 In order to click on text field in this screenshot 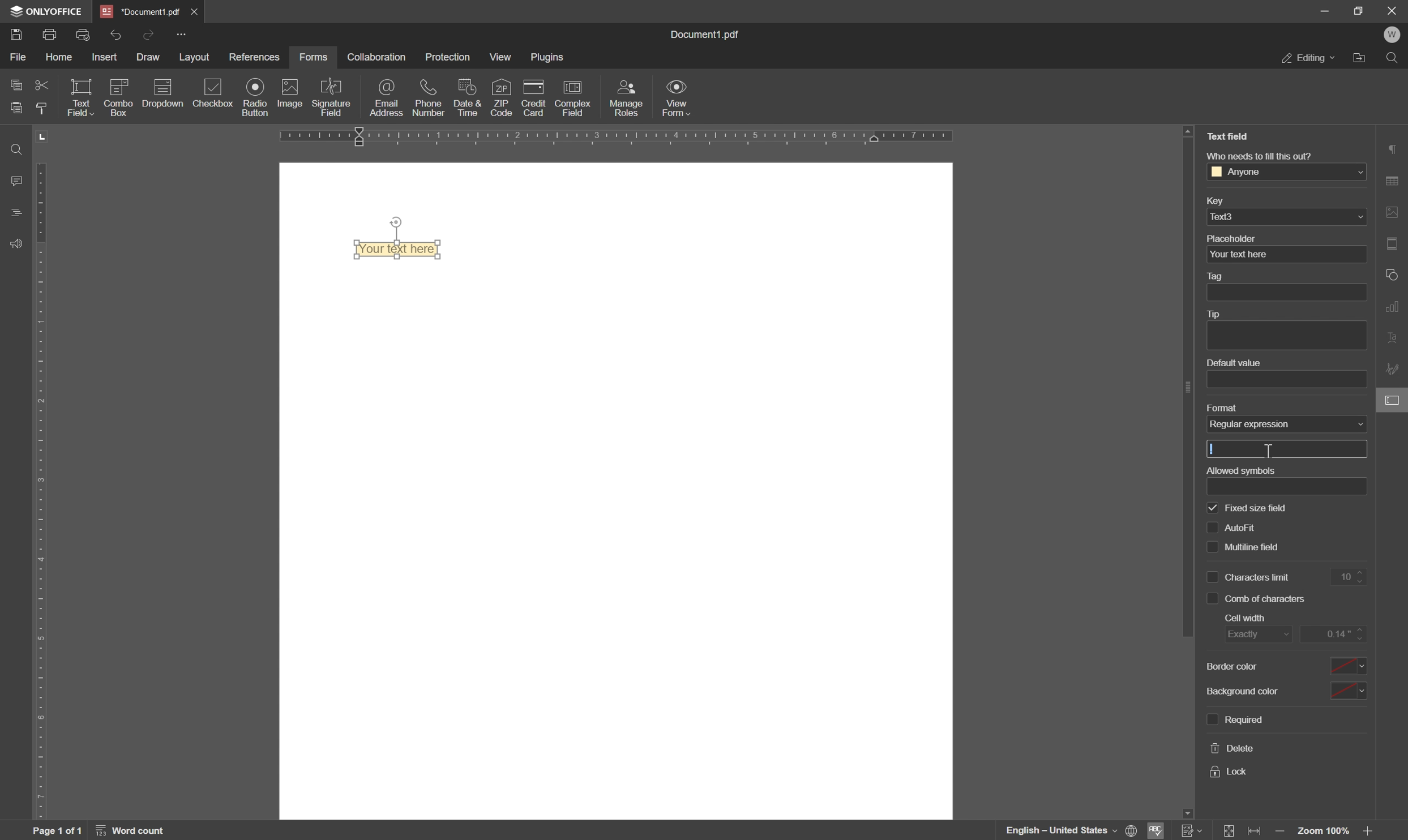, I will do `click(1228, 136)`.